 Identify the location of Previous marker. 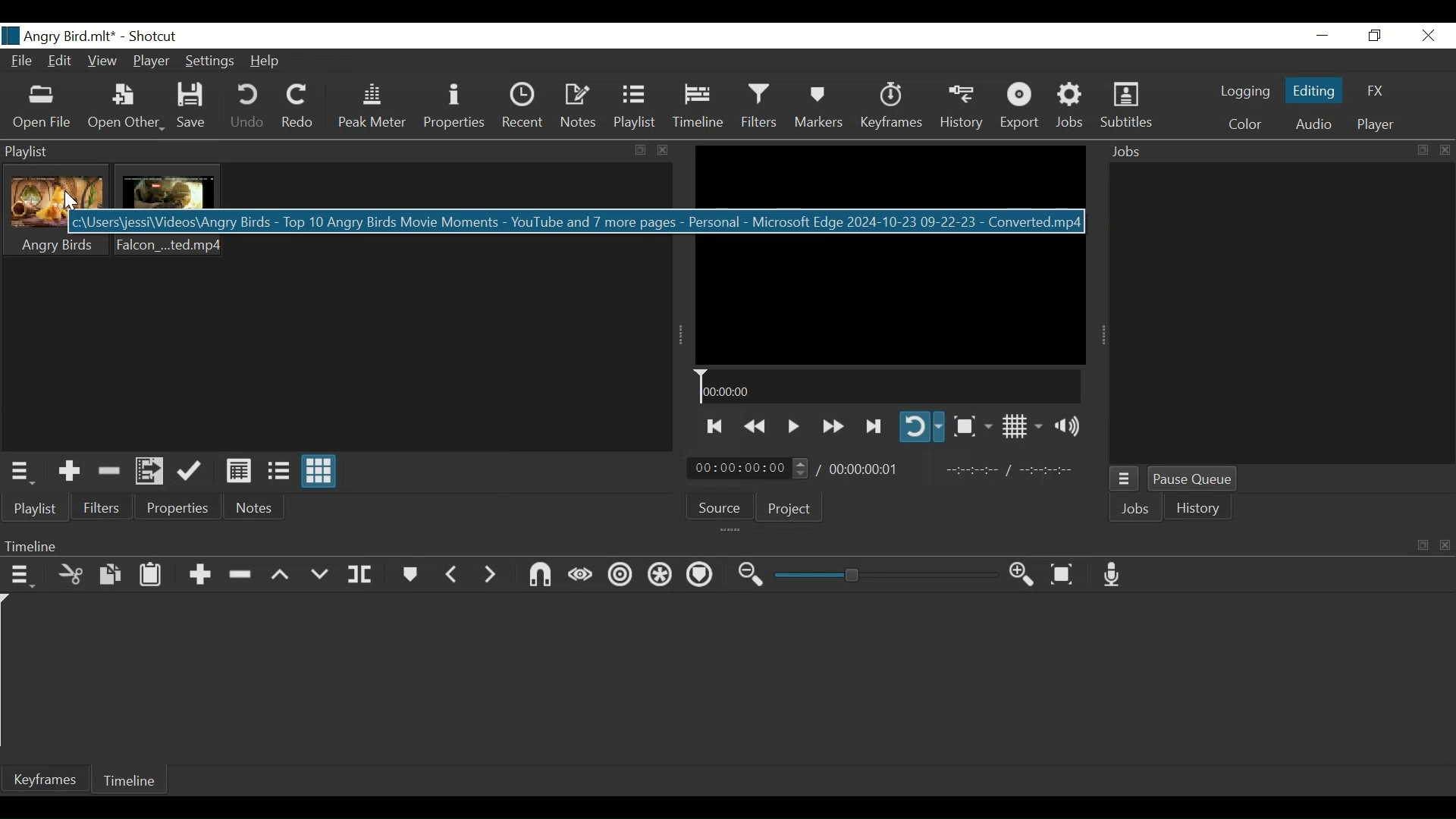
(453, 574).